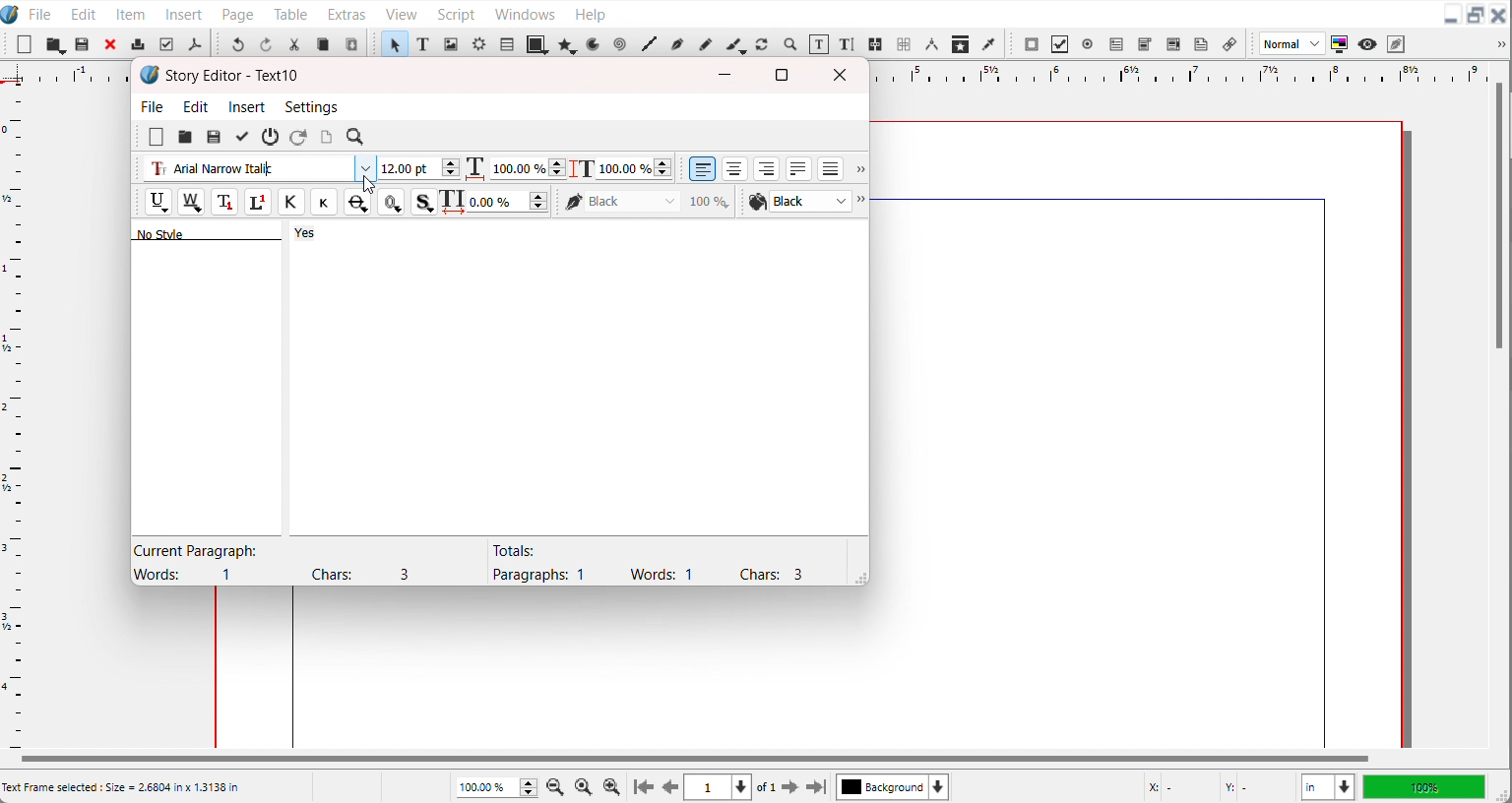 This screenshot has width=1512, height=803. What do you see at coordinates (1059, 44) in the screenshot?
I see `PDF Check Button` at bounding box center [1059, 44].